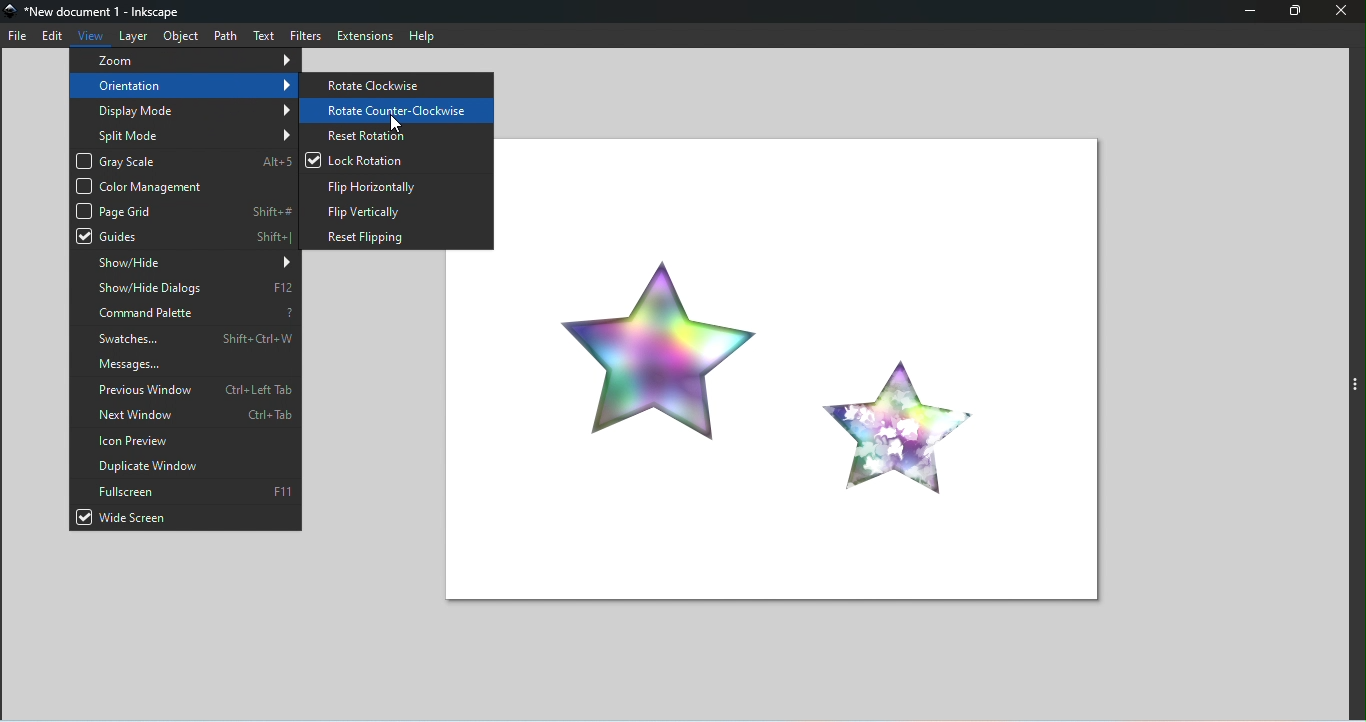  Describe the element at coordinates (1342, 14) in the screenshot. I see `Close` at that location.